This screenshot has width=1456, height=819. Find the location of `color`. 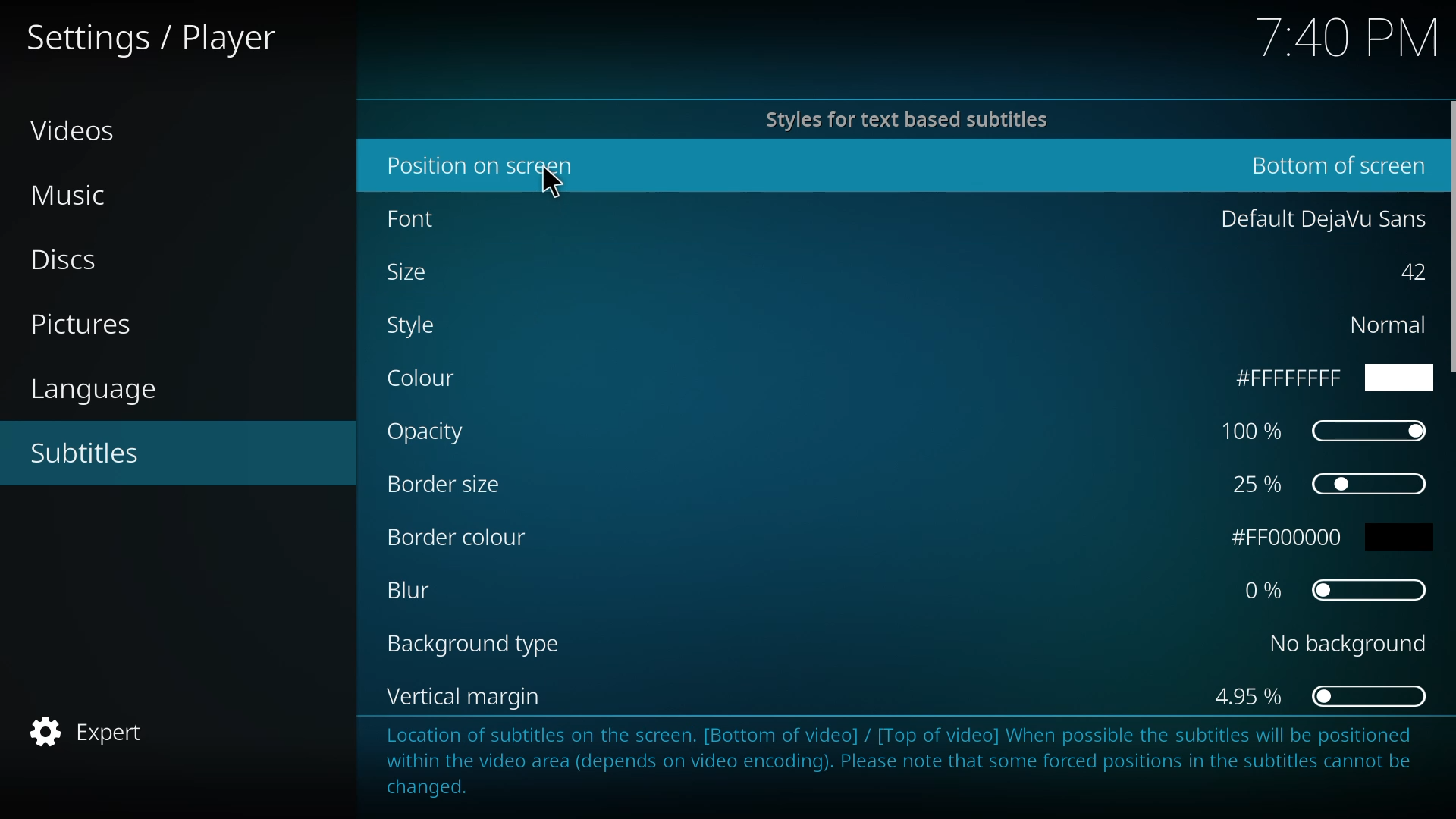

color is located at coordinates (425, 380).